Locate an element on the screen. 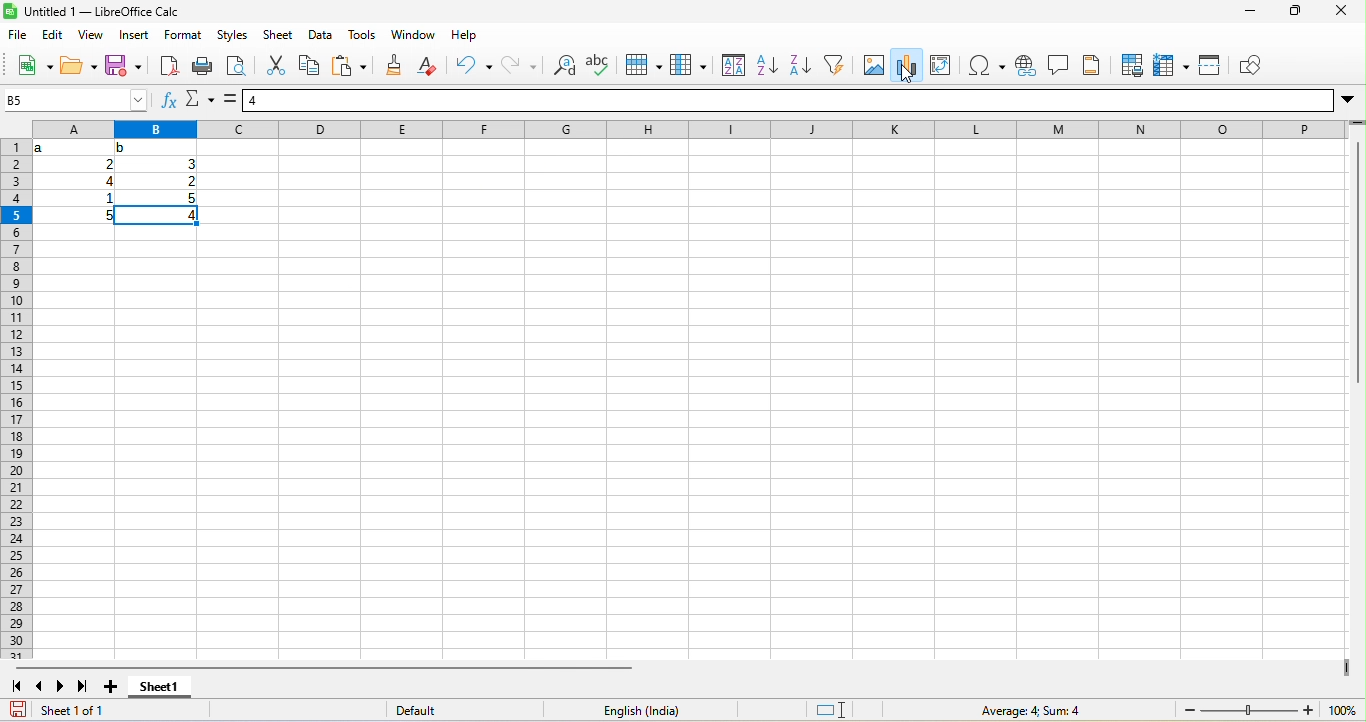 The height and width of the screenshot is (722, 1366). 2 is located at coordinates (190, 181).